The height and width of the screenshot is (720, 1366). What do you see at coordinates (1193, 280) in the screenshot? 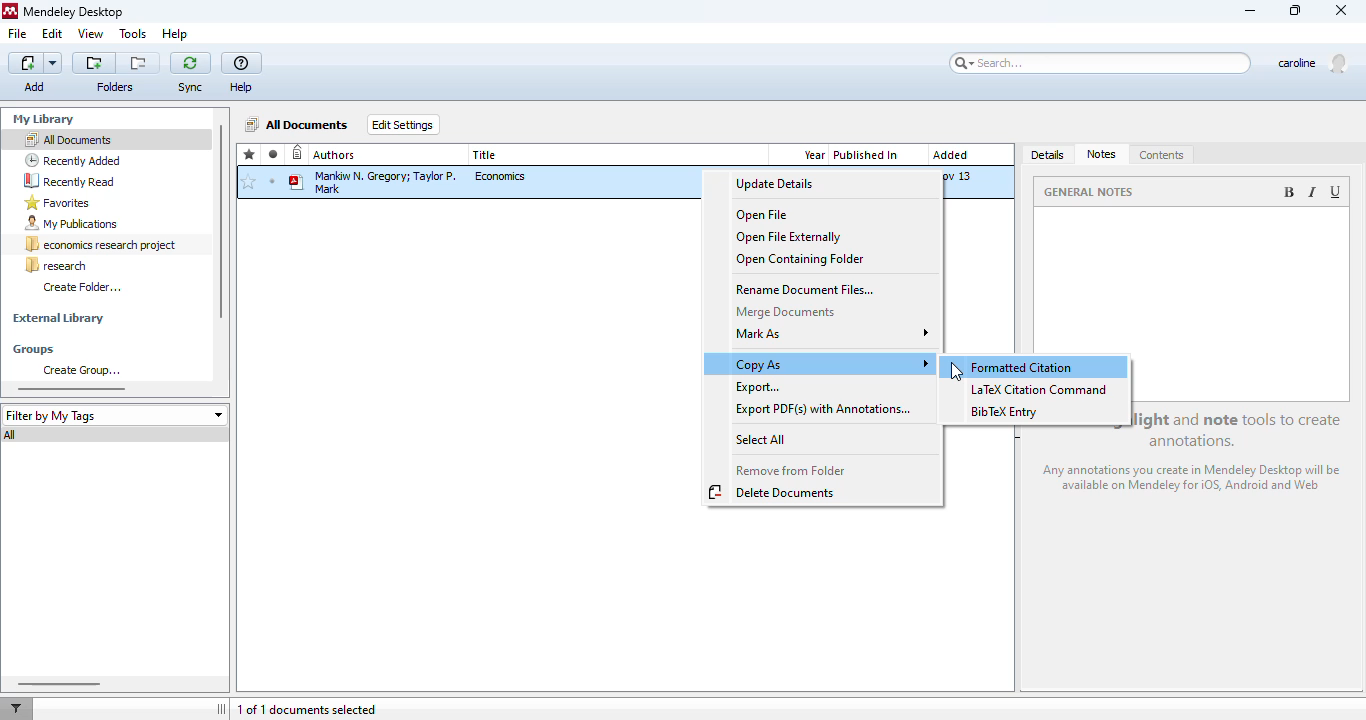
I see `notes section` at bounding box center [1193, 280].